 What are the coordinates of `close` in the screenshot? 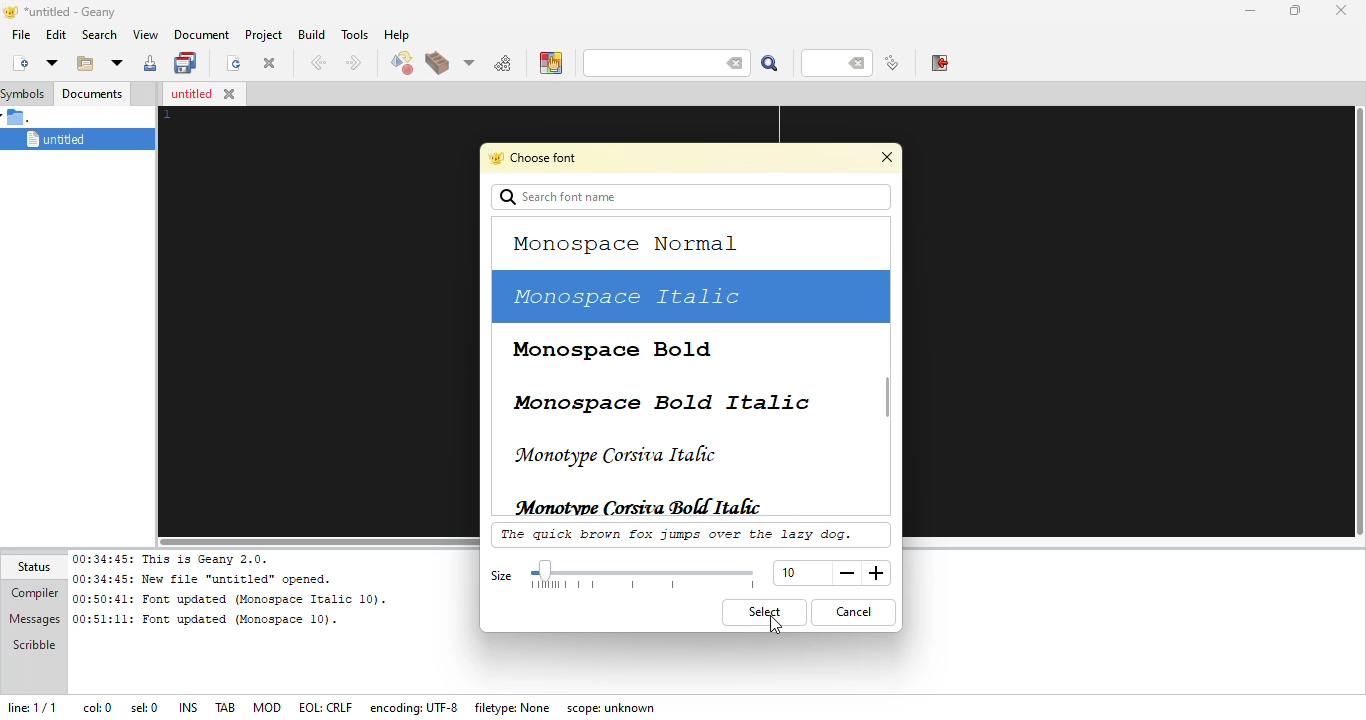 It's located at (1342, 11).